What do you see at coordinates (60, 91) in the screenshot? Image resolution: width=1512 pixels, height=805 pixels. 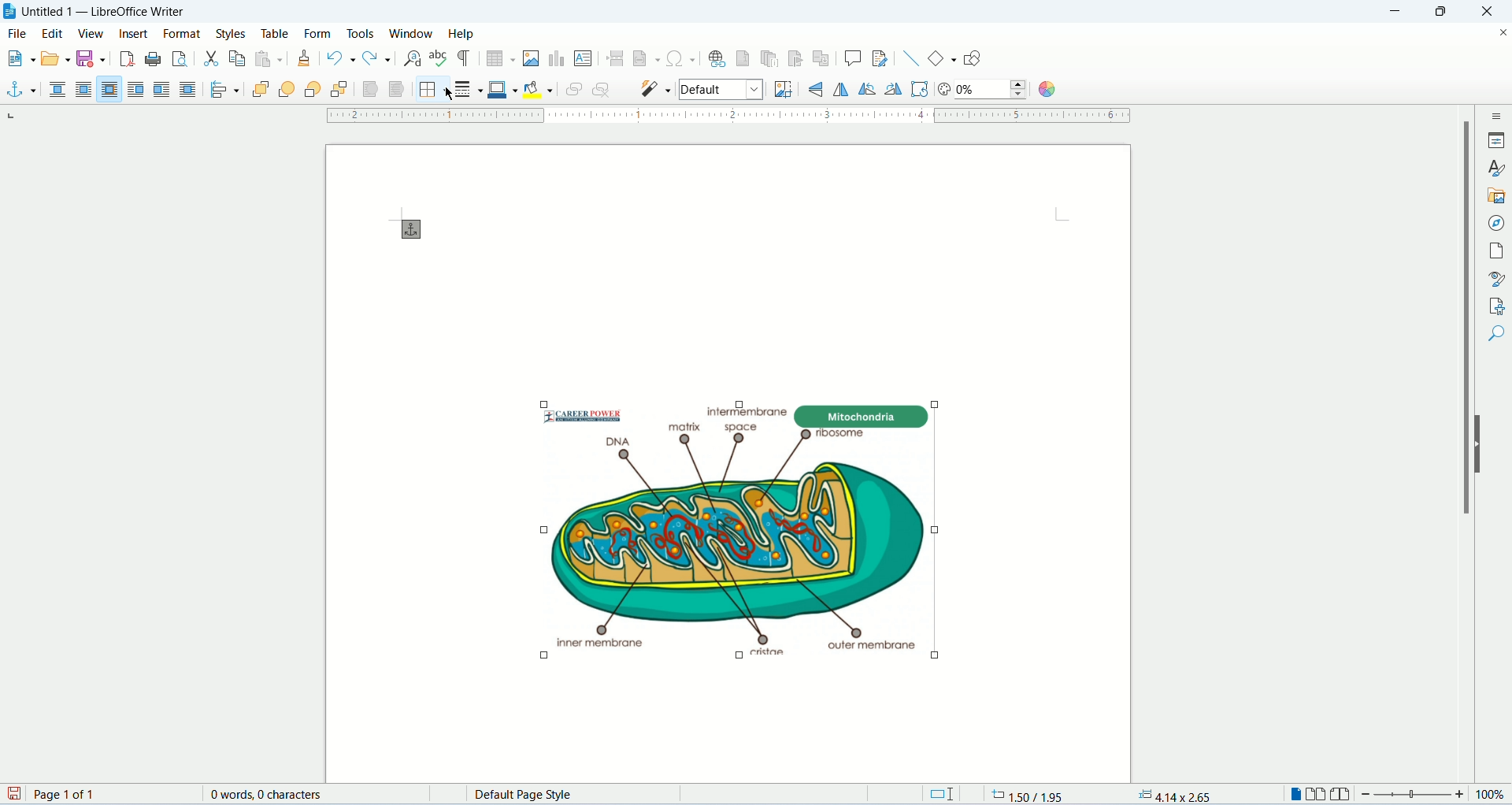 I see `none` at bounding box center [60, 91].